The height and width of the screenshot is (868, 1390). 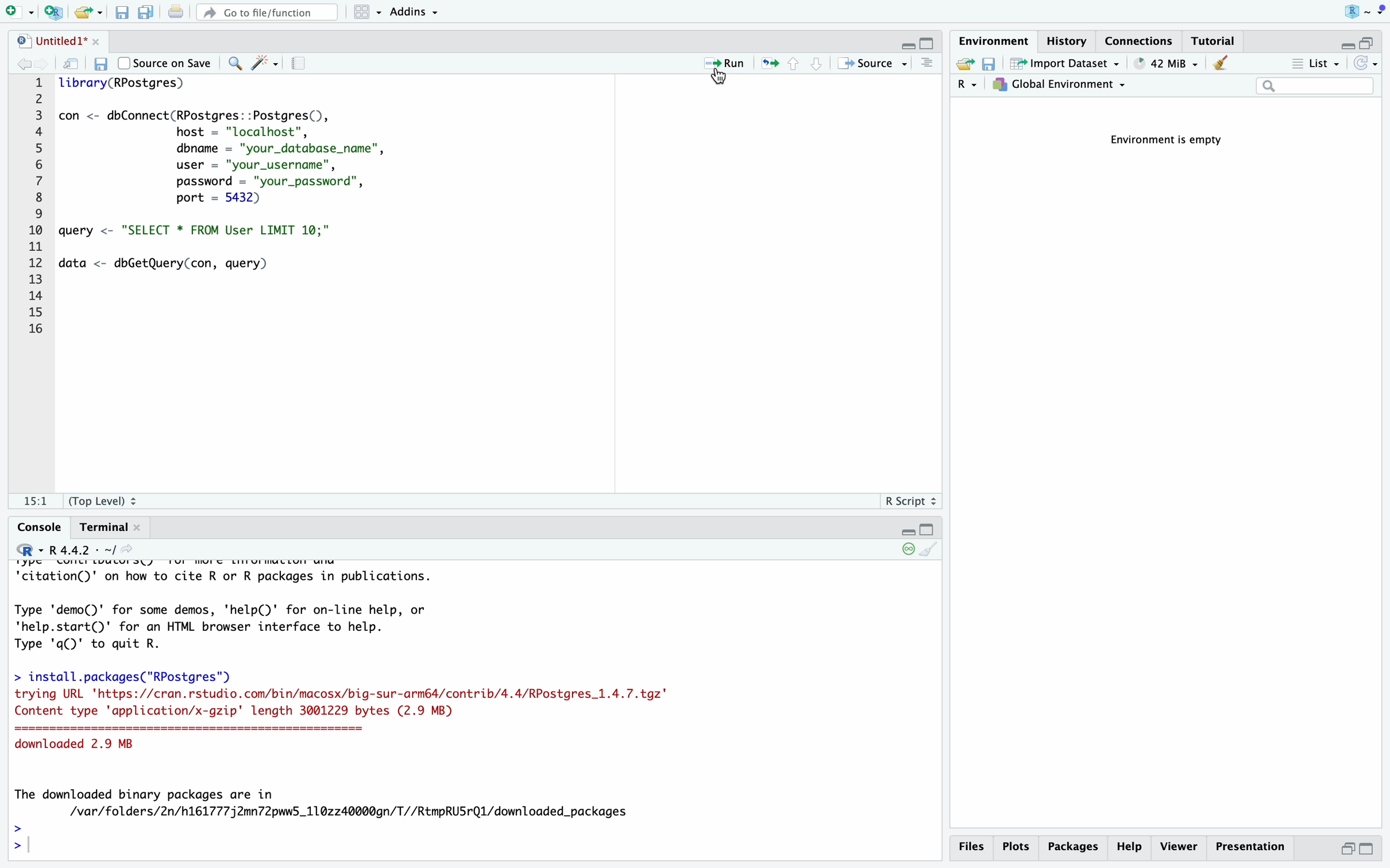 What do you see at coordinates (1342, 11) in the screenshot?
I see `R logo` at bounding box center [1342, 11].